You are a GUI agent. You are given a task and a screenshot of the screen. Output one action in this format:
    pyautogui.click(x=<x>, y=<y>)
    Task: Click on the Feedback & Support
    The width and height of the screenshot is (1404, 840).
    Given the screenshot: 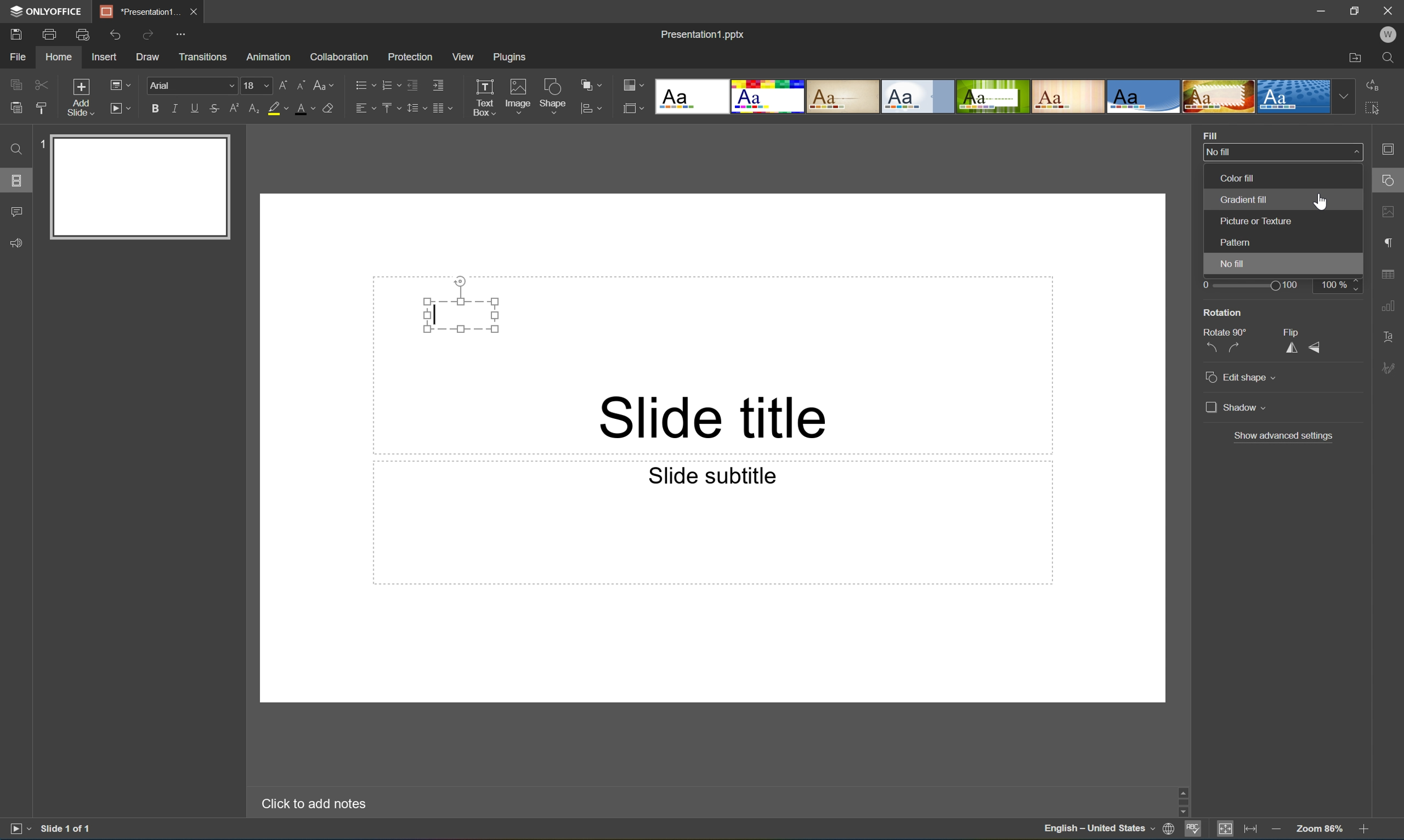 What is the action you would take?
    pyautogui.click(x=18, y=242)
    